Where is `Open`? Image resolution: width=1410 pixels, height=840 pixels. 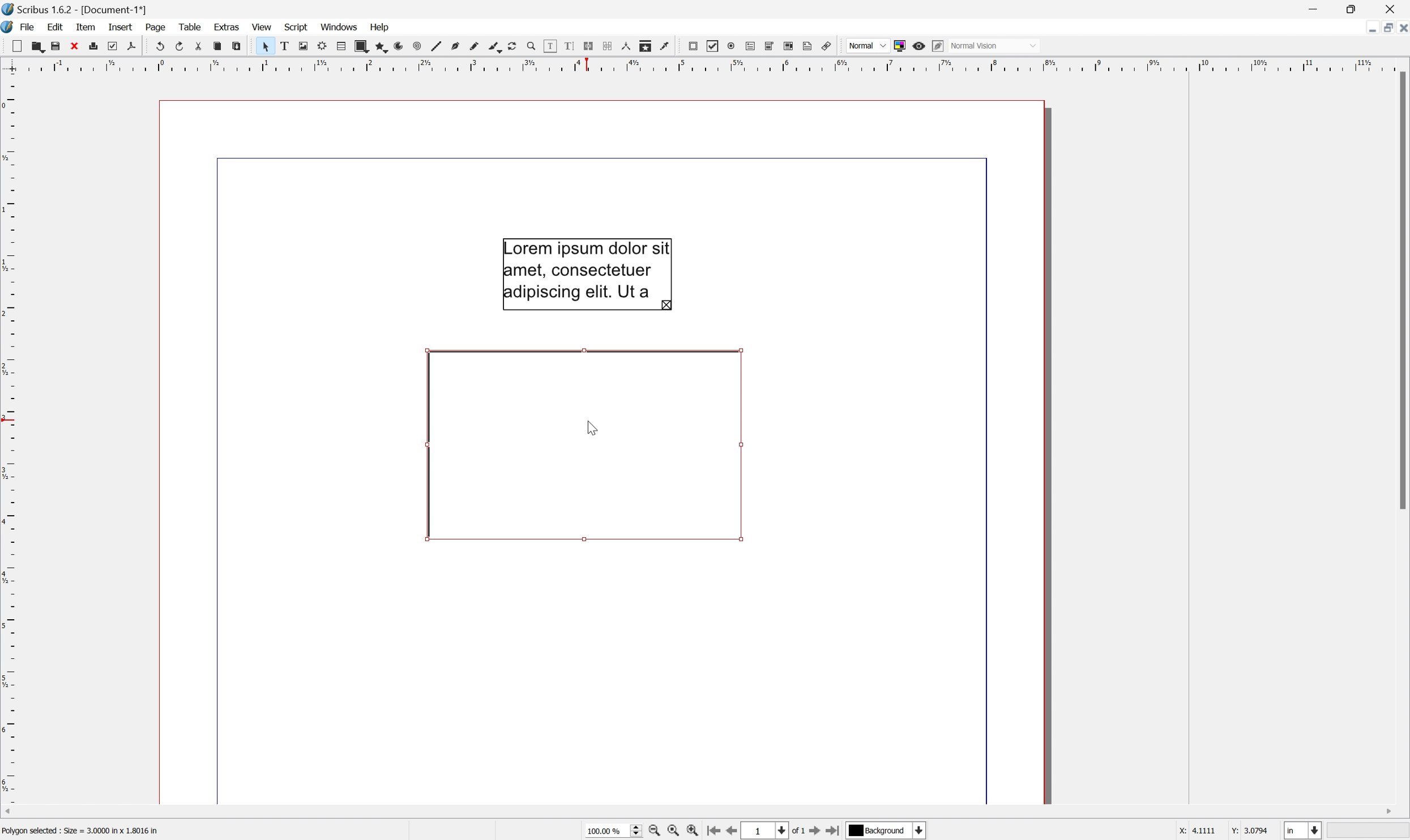
Open is located at coordinates (33, 47).